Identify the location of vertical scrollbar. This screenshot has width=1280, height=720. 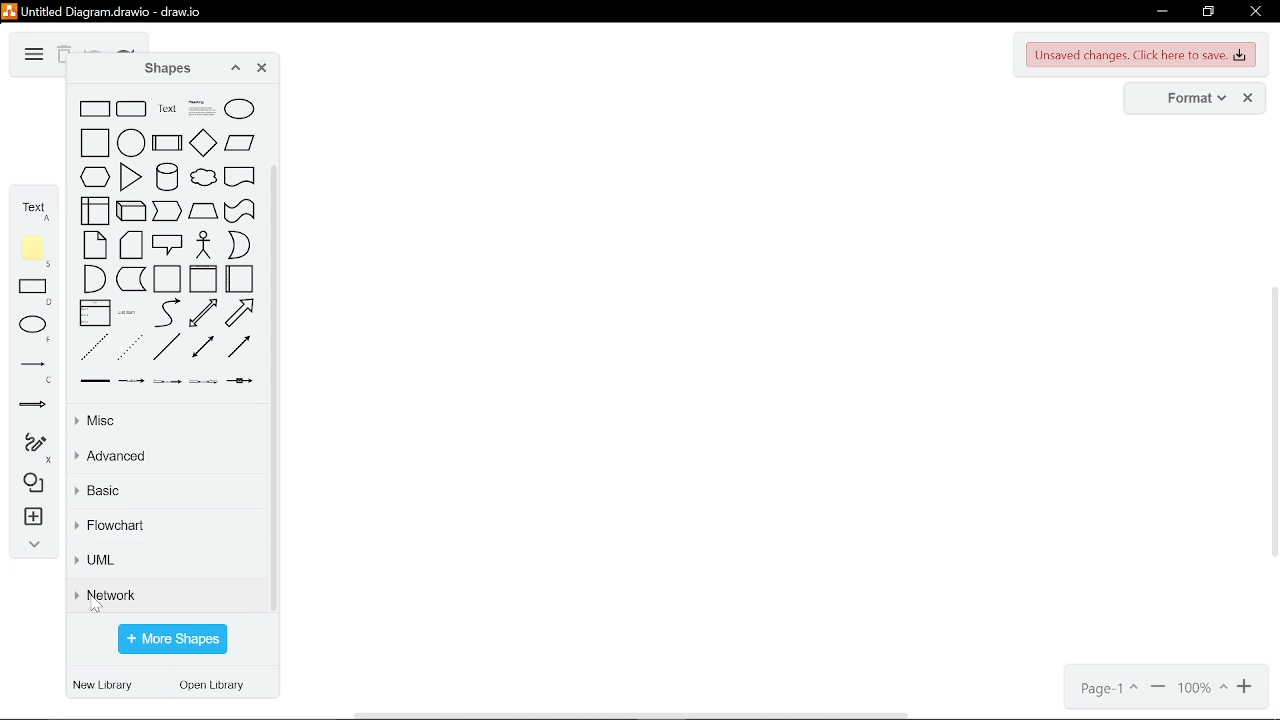
(275, 389).